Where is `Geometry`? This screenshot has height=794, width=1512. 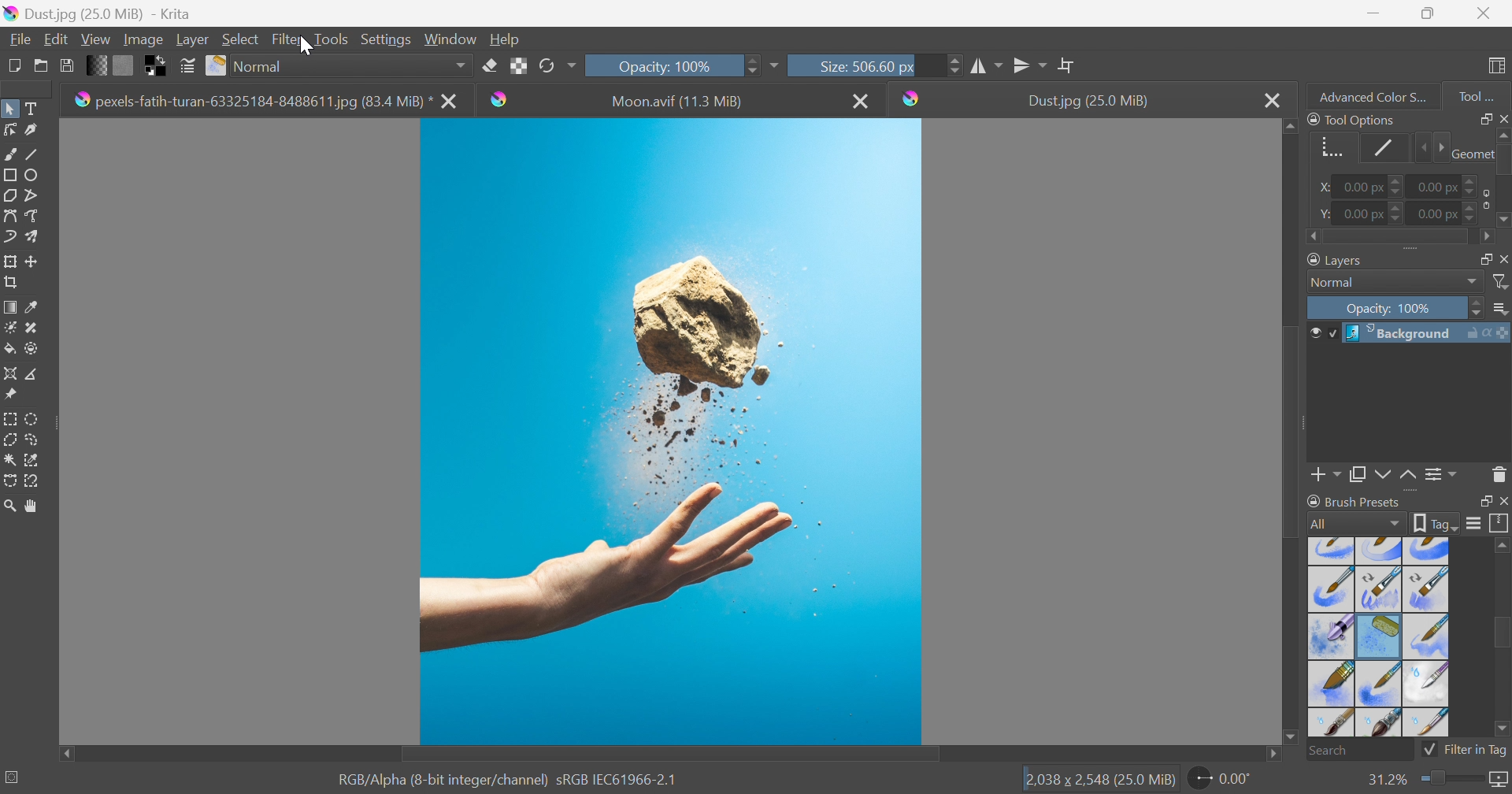 Geometry is located at coordinates (1328, 145).